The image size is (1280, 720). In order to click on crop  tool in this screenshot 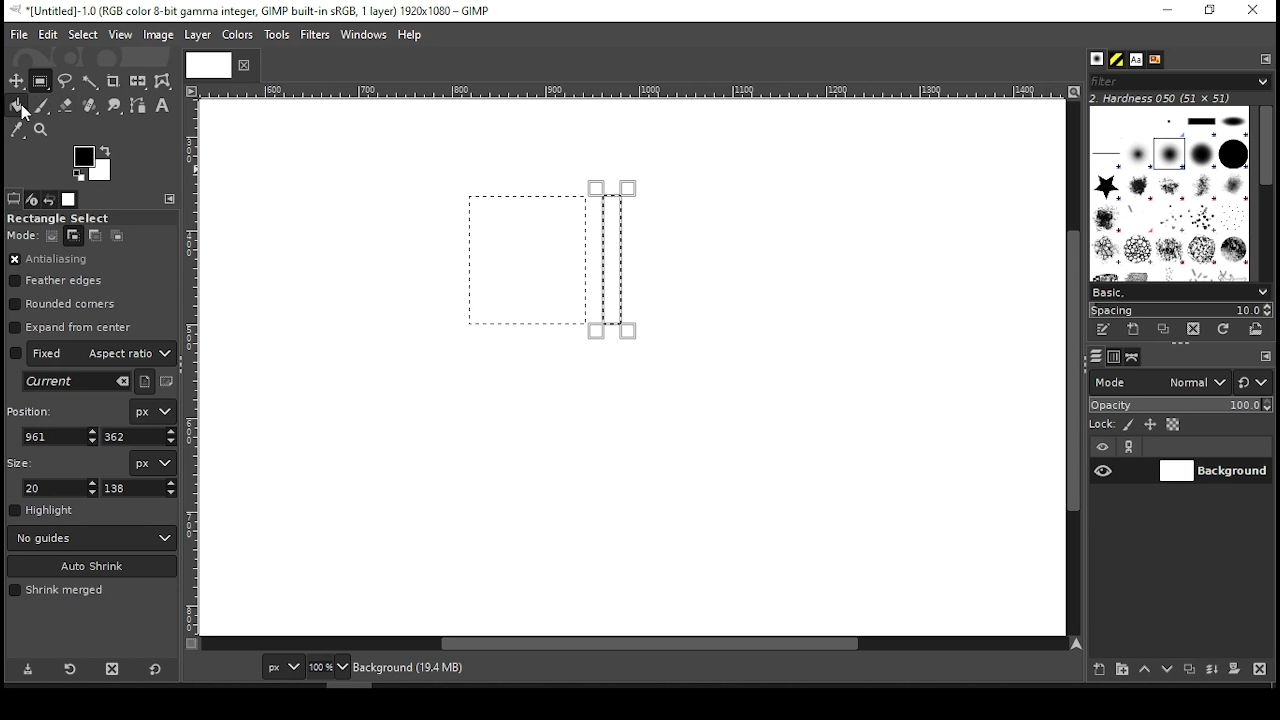, I will do `click(113, 82)`.